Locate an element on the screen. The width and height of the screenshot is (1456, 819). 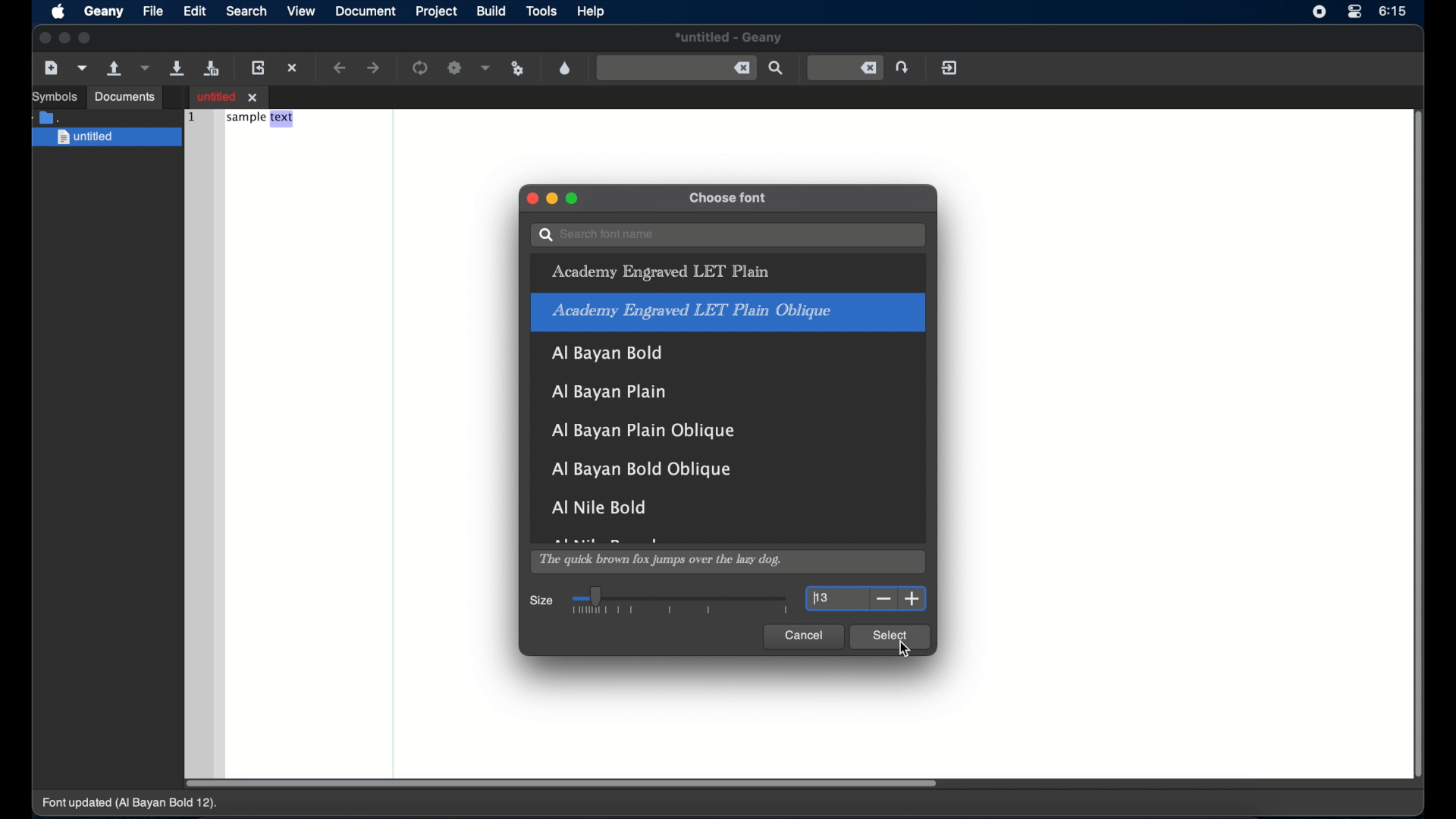
close the current file is located at coordinates (293, 69).